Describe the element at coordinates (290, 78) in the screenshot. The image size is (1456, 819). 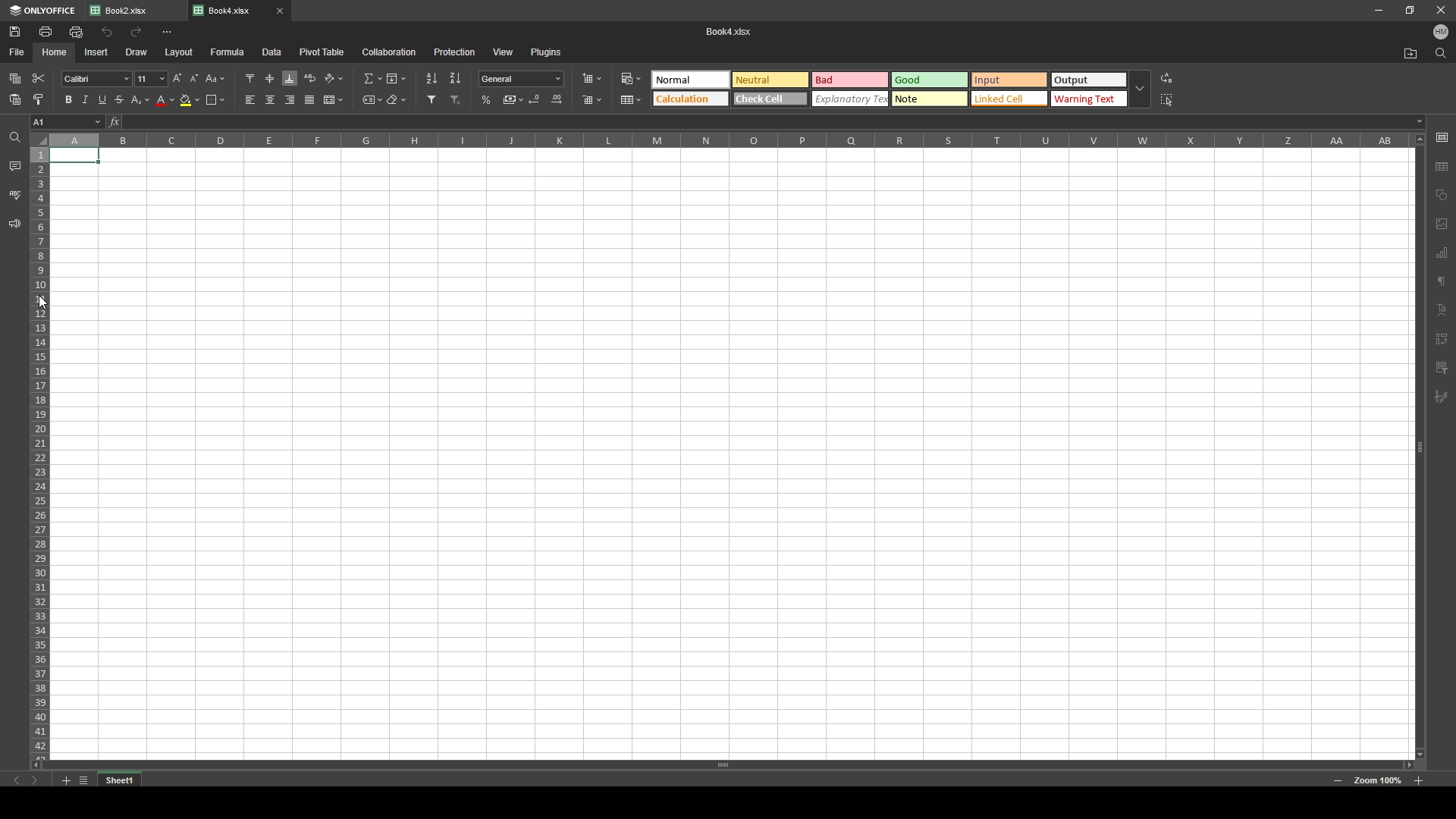
I see `align bottom` at that location.